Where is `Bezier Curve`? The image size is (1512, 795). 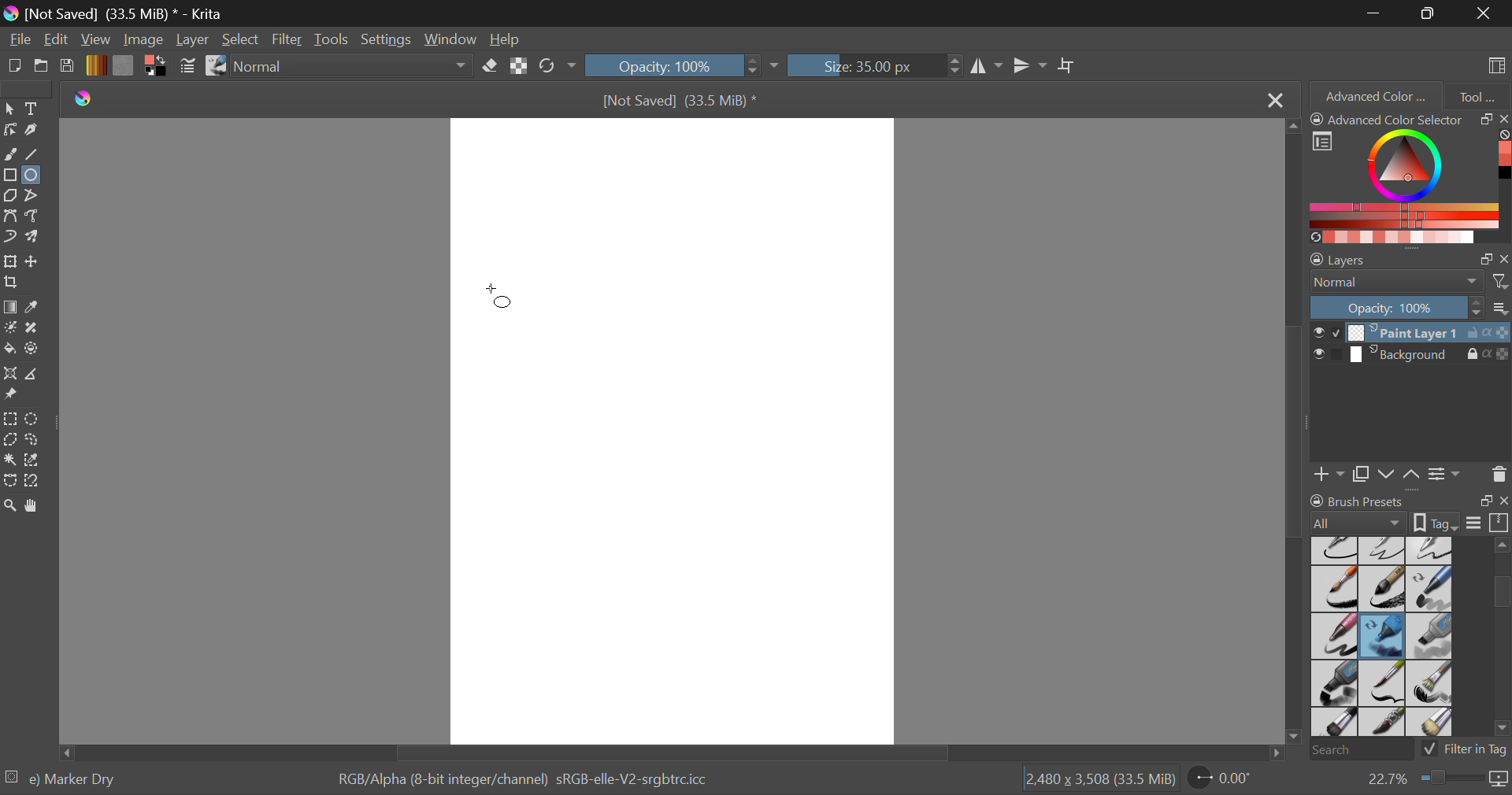
Bezier Curve is located at coordinates (13, 218).